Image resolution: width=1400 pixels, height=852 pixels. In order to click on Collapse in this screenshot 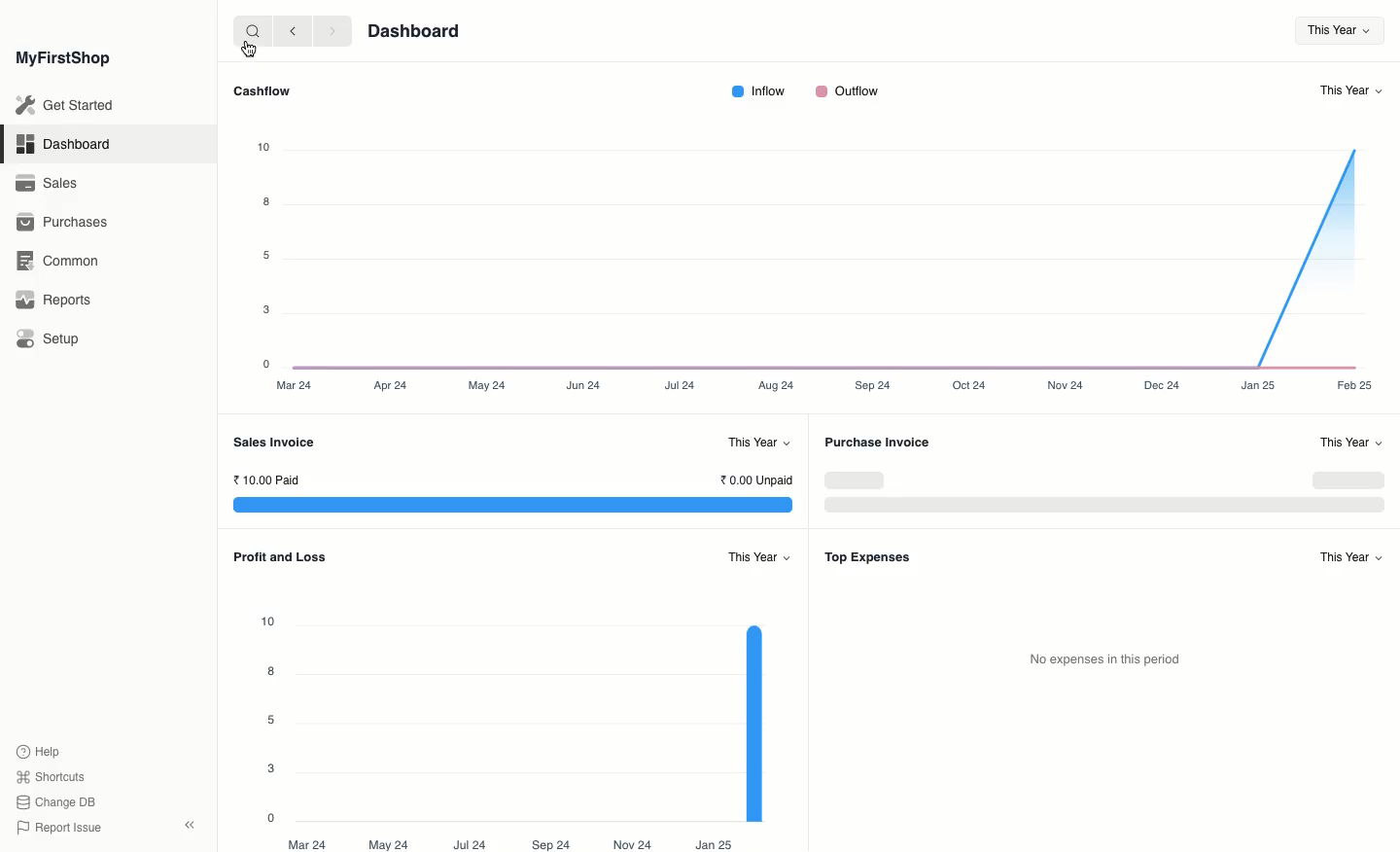, I will do `click(190, 825)`.